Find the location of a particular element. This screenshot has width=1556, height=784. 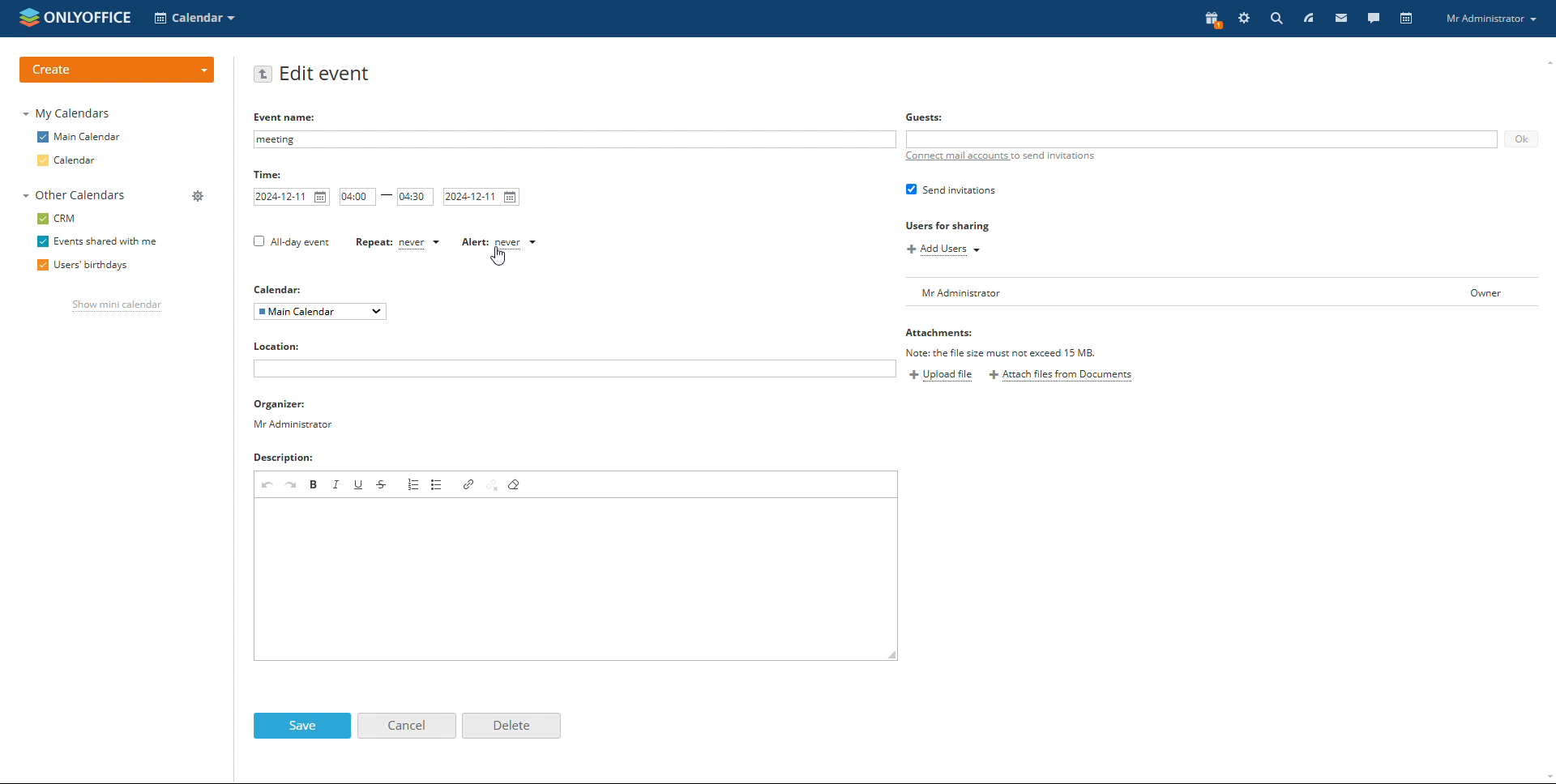

events shared with me is located at coordinates (100, 241).